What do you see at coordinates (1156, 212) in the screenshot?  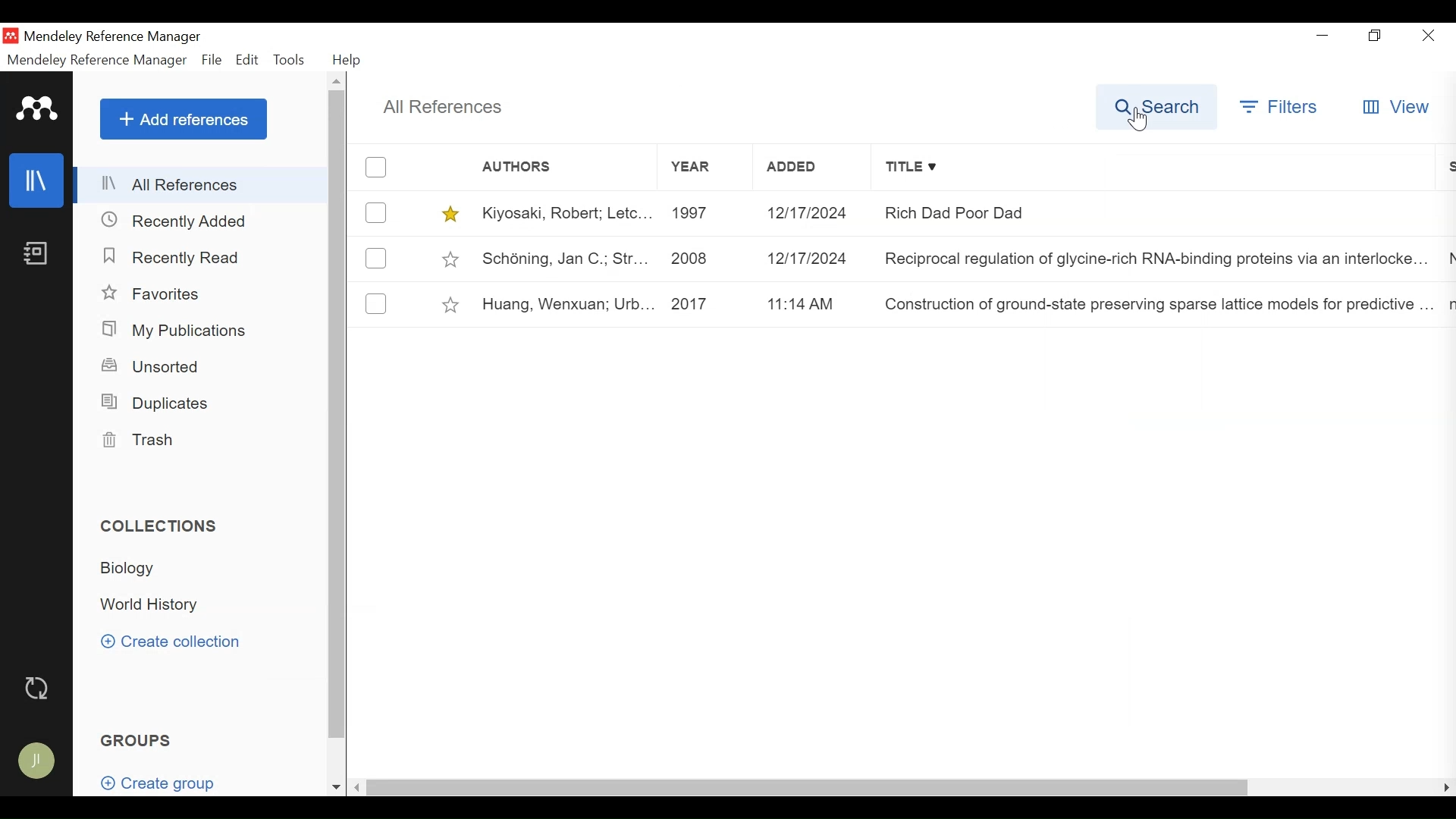 I see `Rich Dad Poor Dad` at bounding box center [1156, 212].